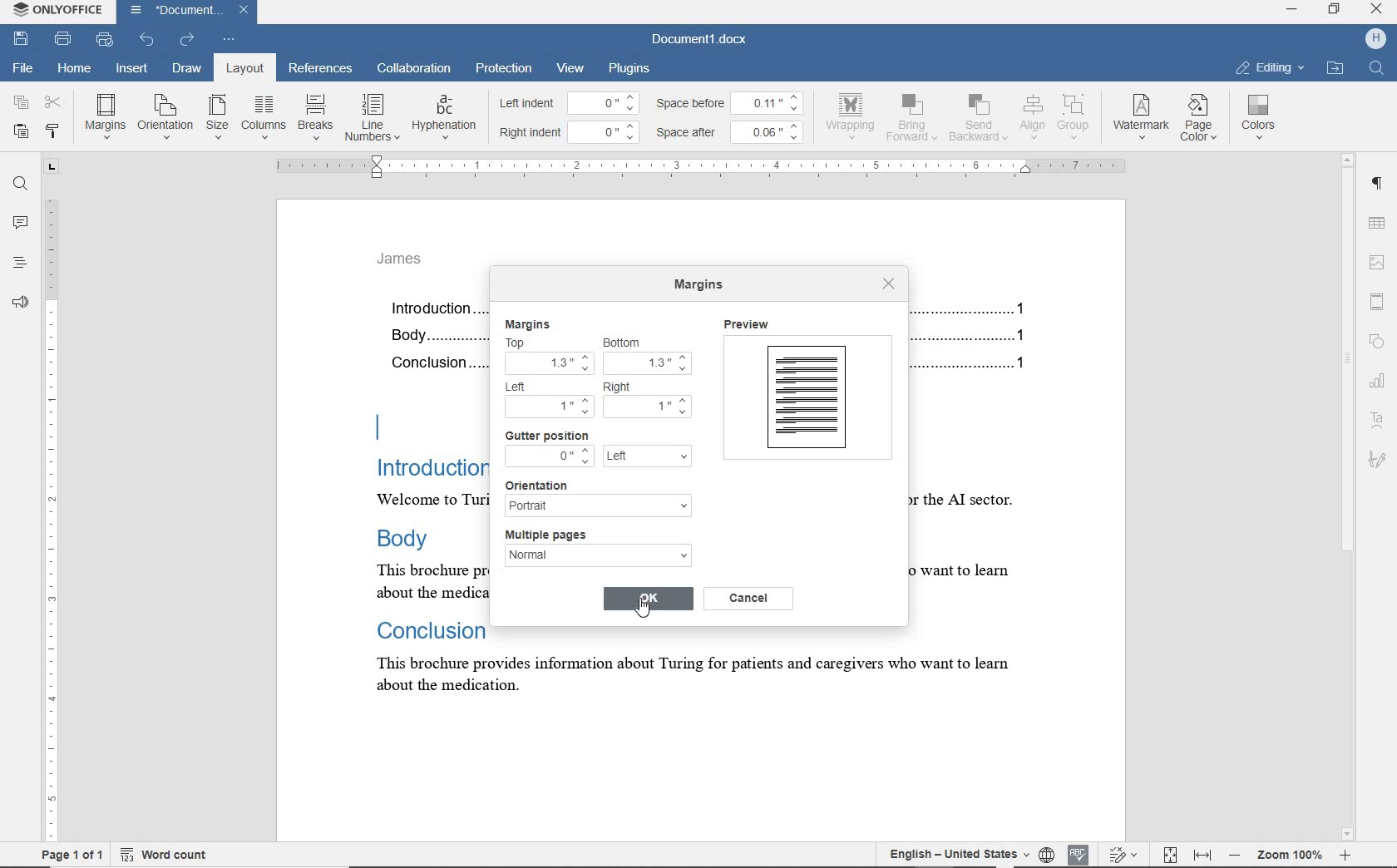 This screenshot has width=1397, height=868. I want to click on space after, so click(690, 133).